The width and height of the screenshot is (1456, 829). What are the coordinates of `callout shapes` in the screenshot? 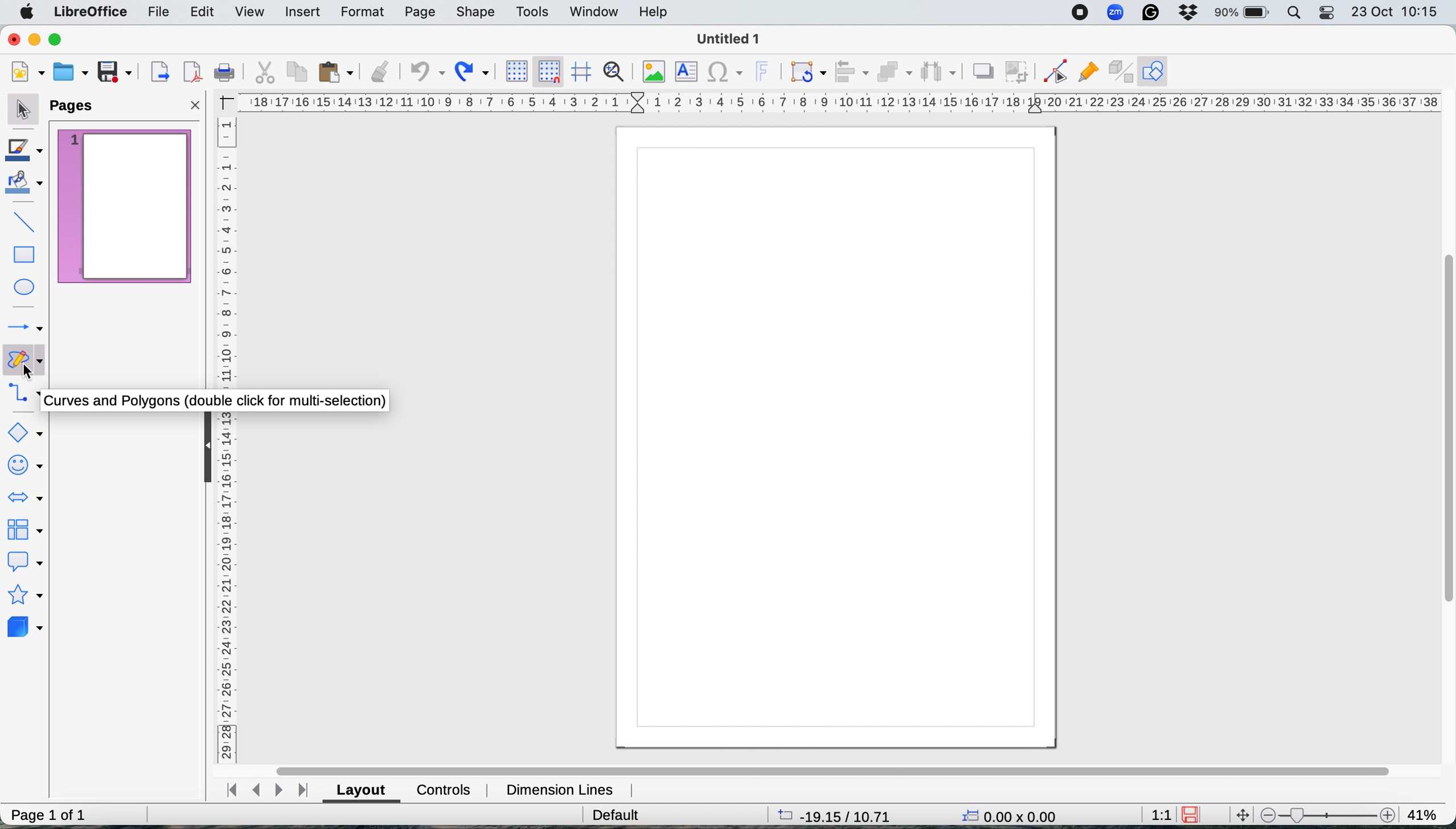 It's located at (27, 564).